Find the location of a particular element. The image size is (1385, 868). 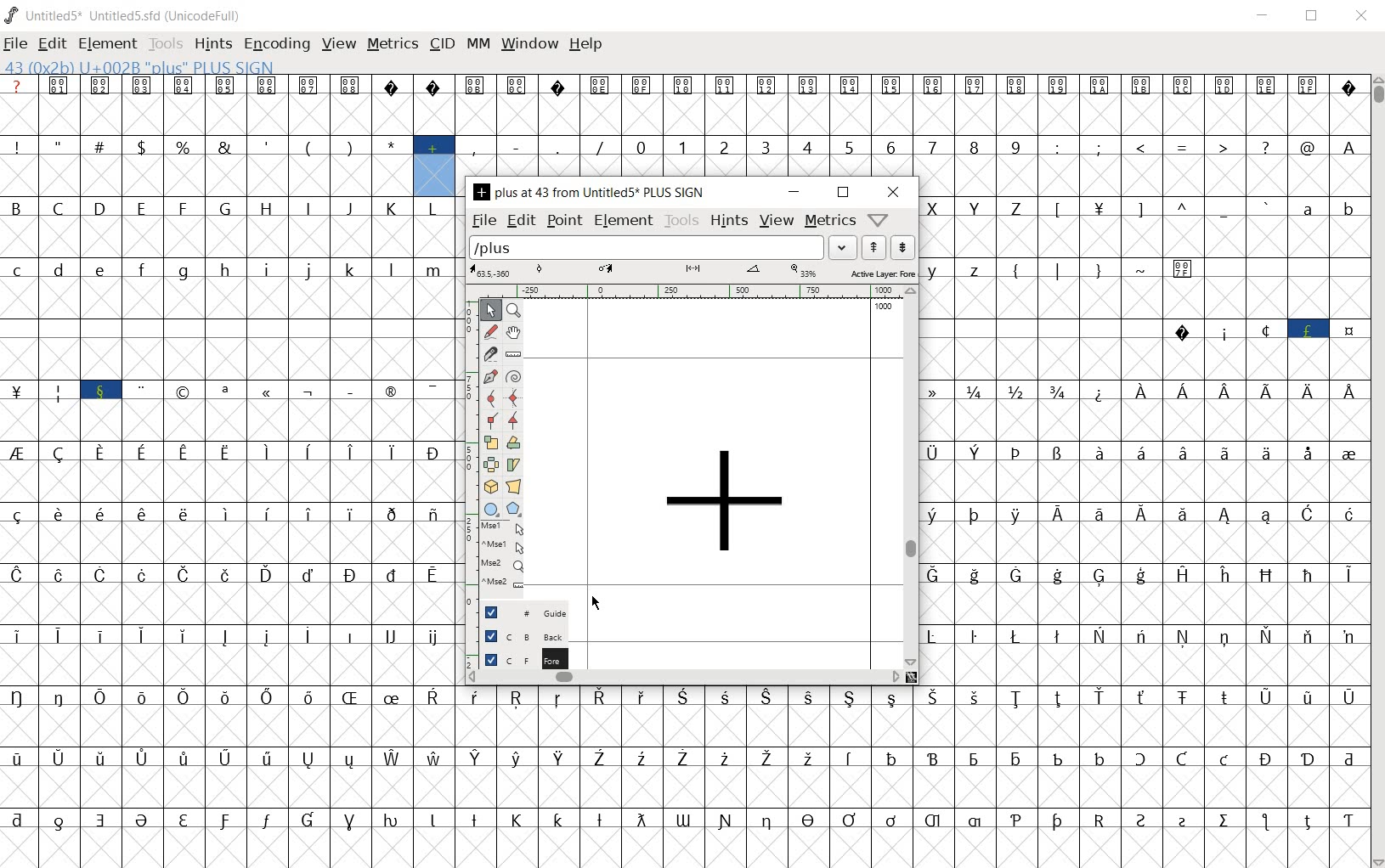

metrics is located at coordinates (828, 222).